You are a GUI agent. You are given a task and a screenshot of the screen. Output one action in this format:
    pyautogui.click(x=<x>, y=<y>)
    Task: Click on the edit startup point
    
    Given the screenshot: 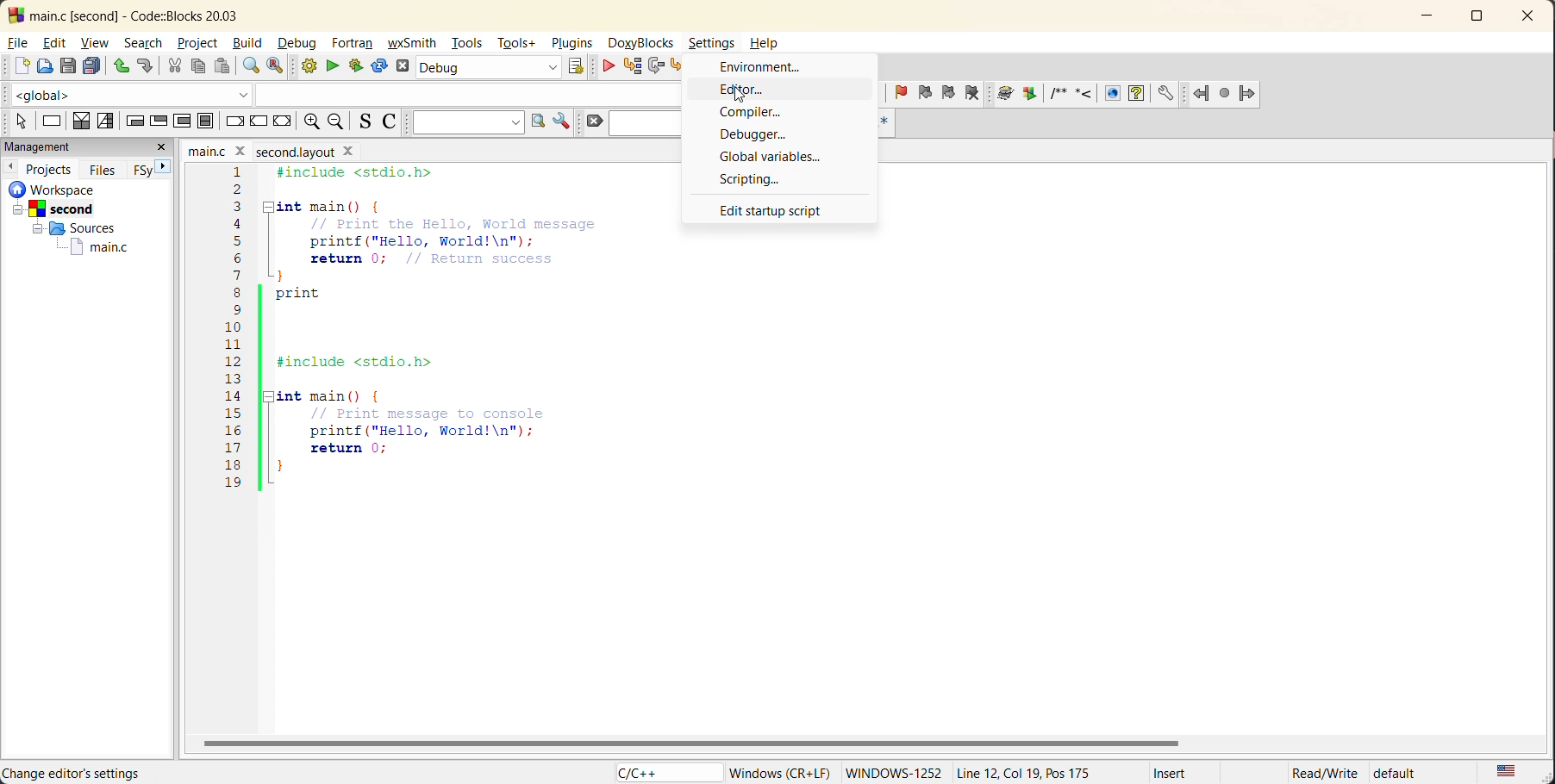 What is the action you would take?
    pyautogui.click(x=777, y=211)
    